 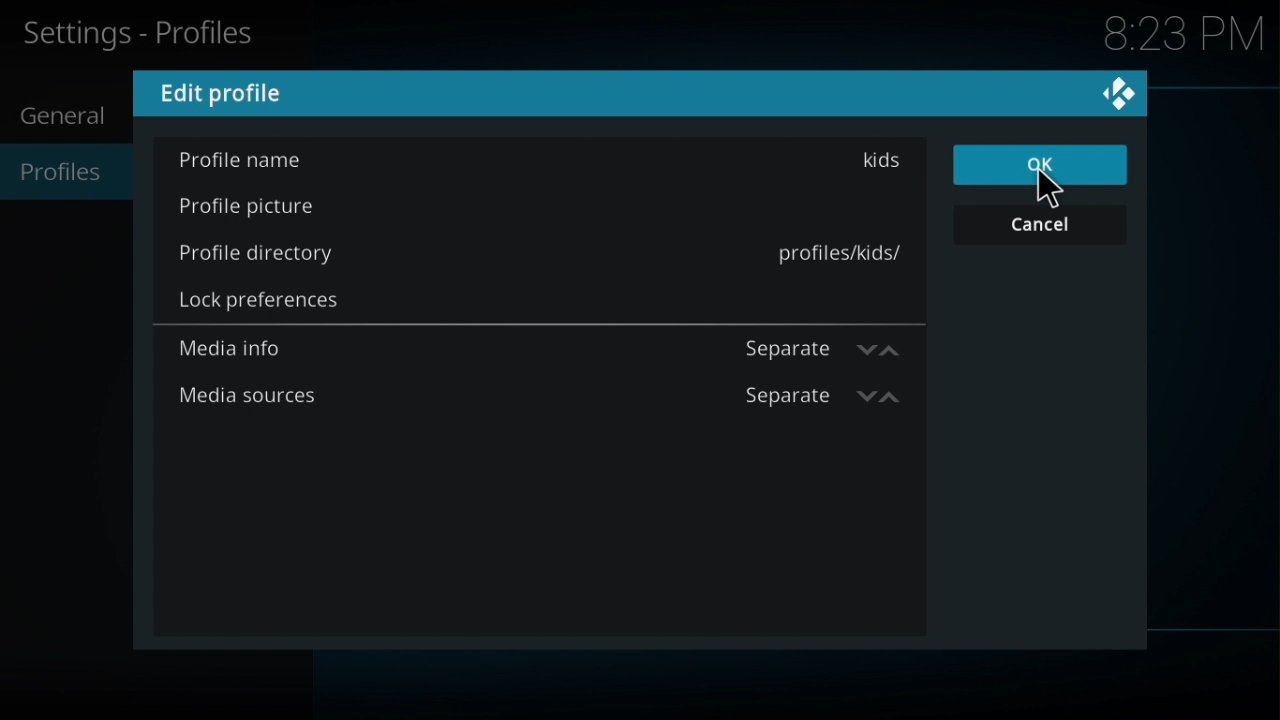 What do you see at coordinates (241, 351) in the screenshot?
I see `Media info` at bounding box center [241, 351].